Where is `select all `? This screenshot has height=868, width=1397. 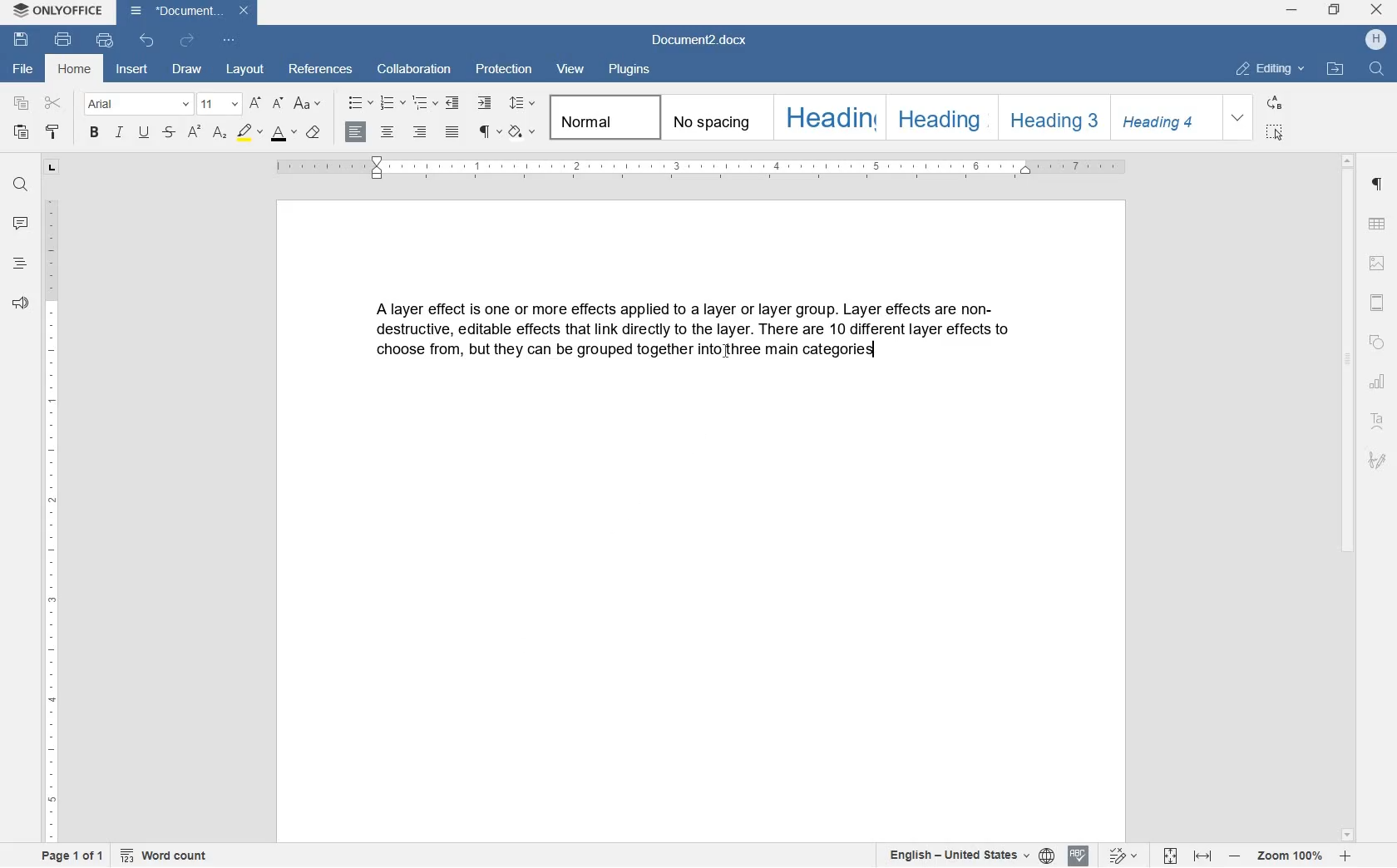 select all  is located at coordinates (1274, 131).